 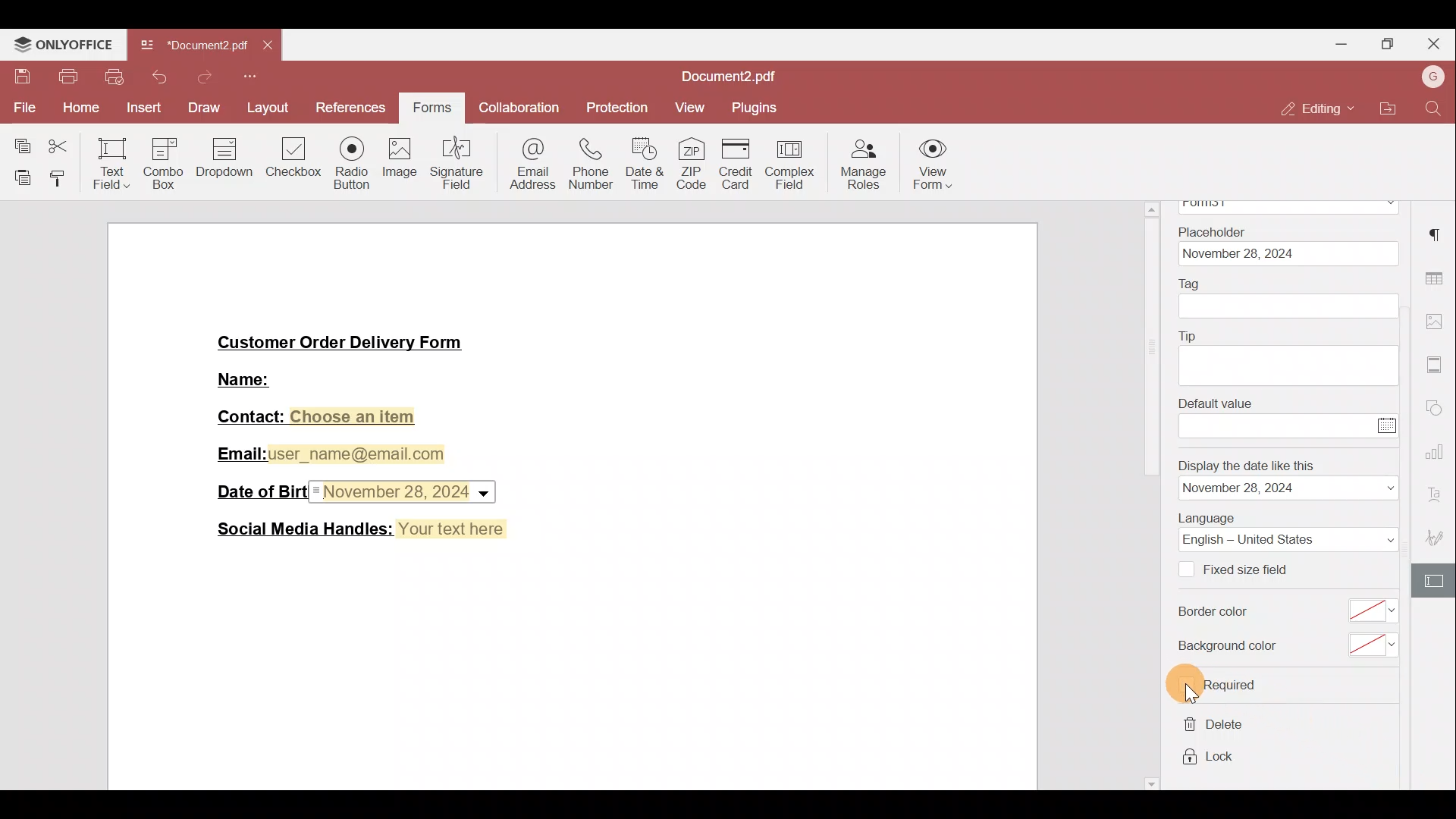 I want to click on Undo, so click(x=157, y=77).